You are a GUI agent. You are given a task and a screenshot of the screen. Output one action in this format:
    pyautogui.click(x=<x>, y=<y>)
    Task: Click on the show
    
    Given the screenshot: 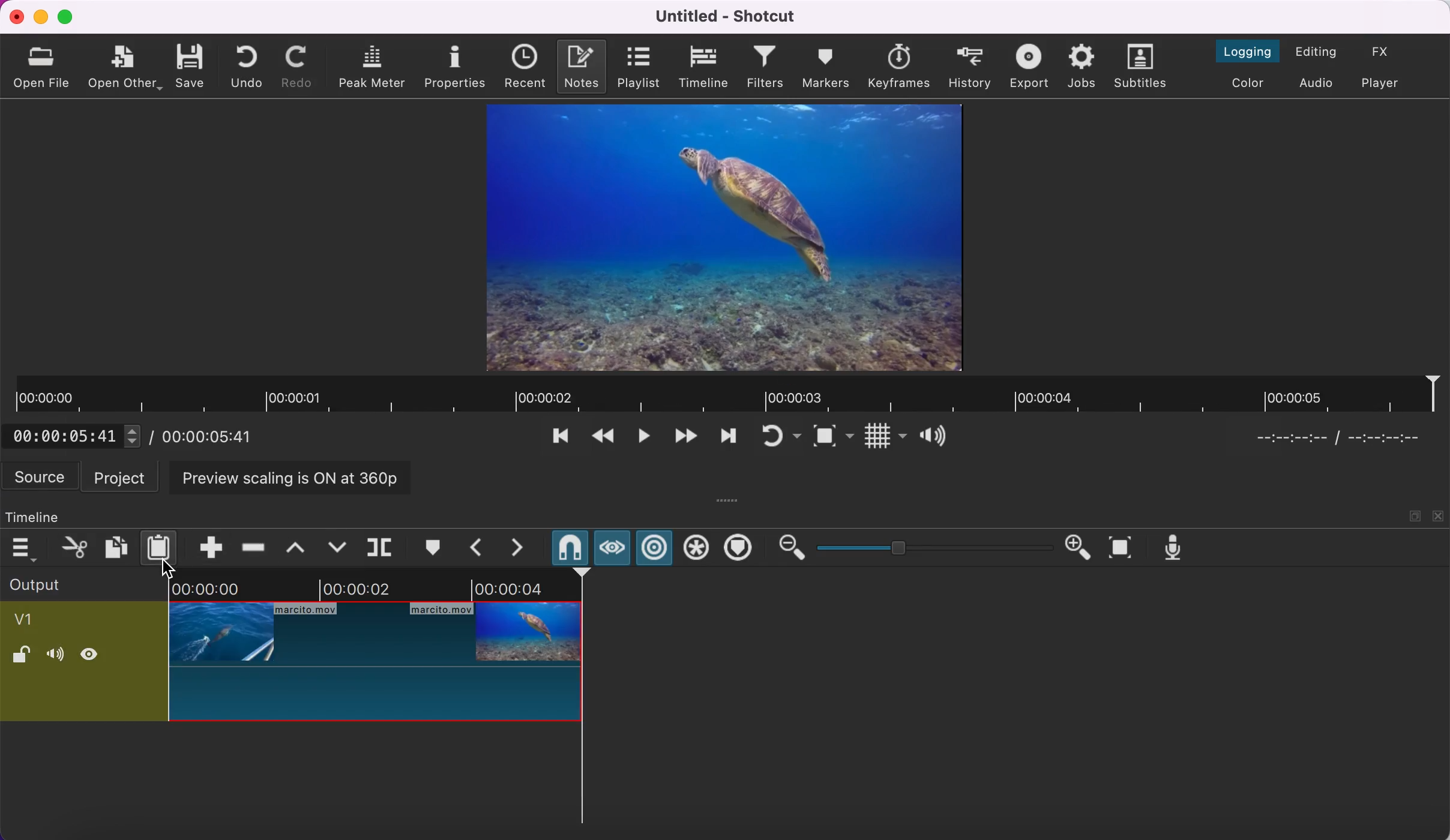 What is the action you would take?
    pyautogui.click(x=94, y=657)
    